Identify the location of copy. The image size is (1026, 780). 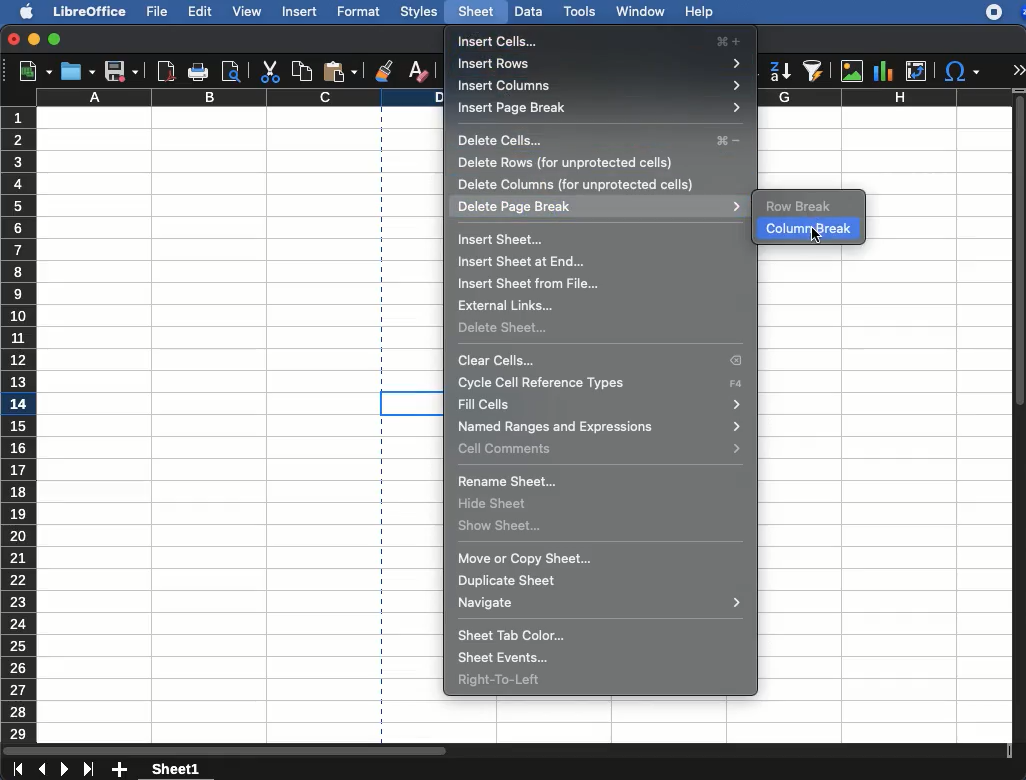
(302, 70).